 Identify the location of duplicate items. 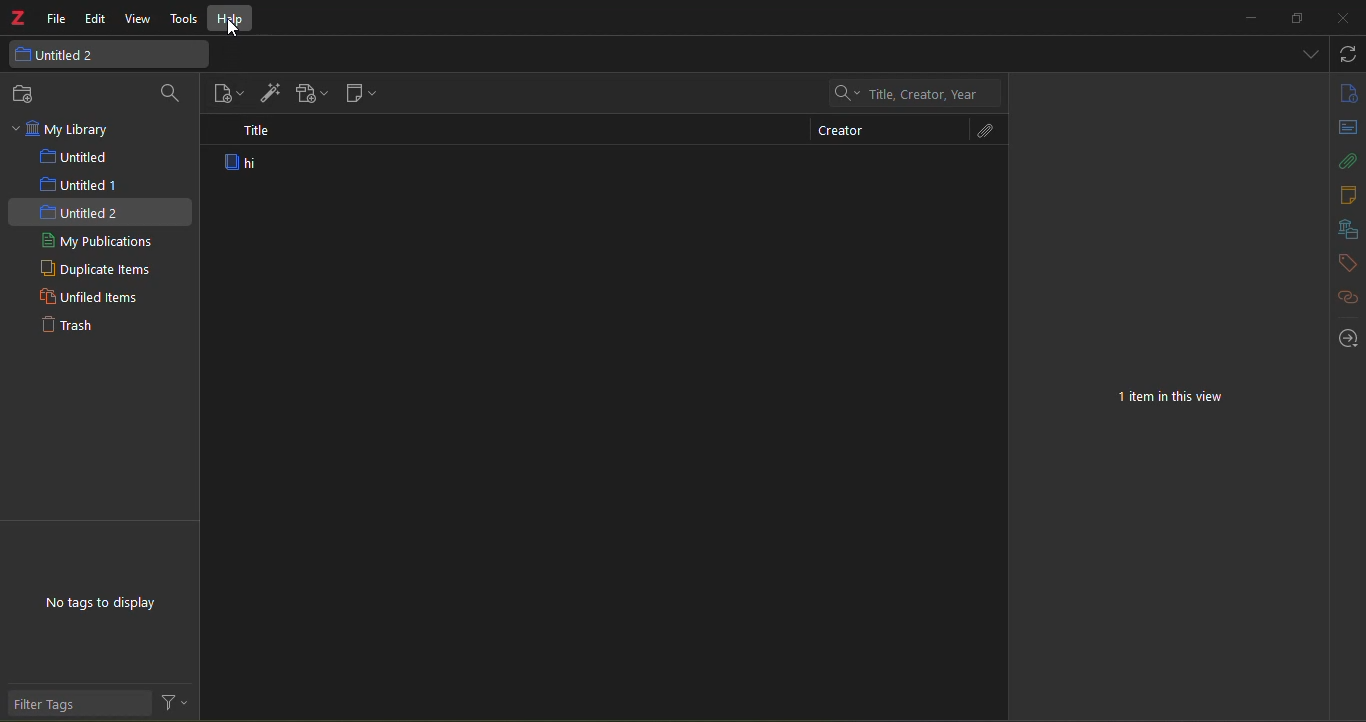
(95, 270).